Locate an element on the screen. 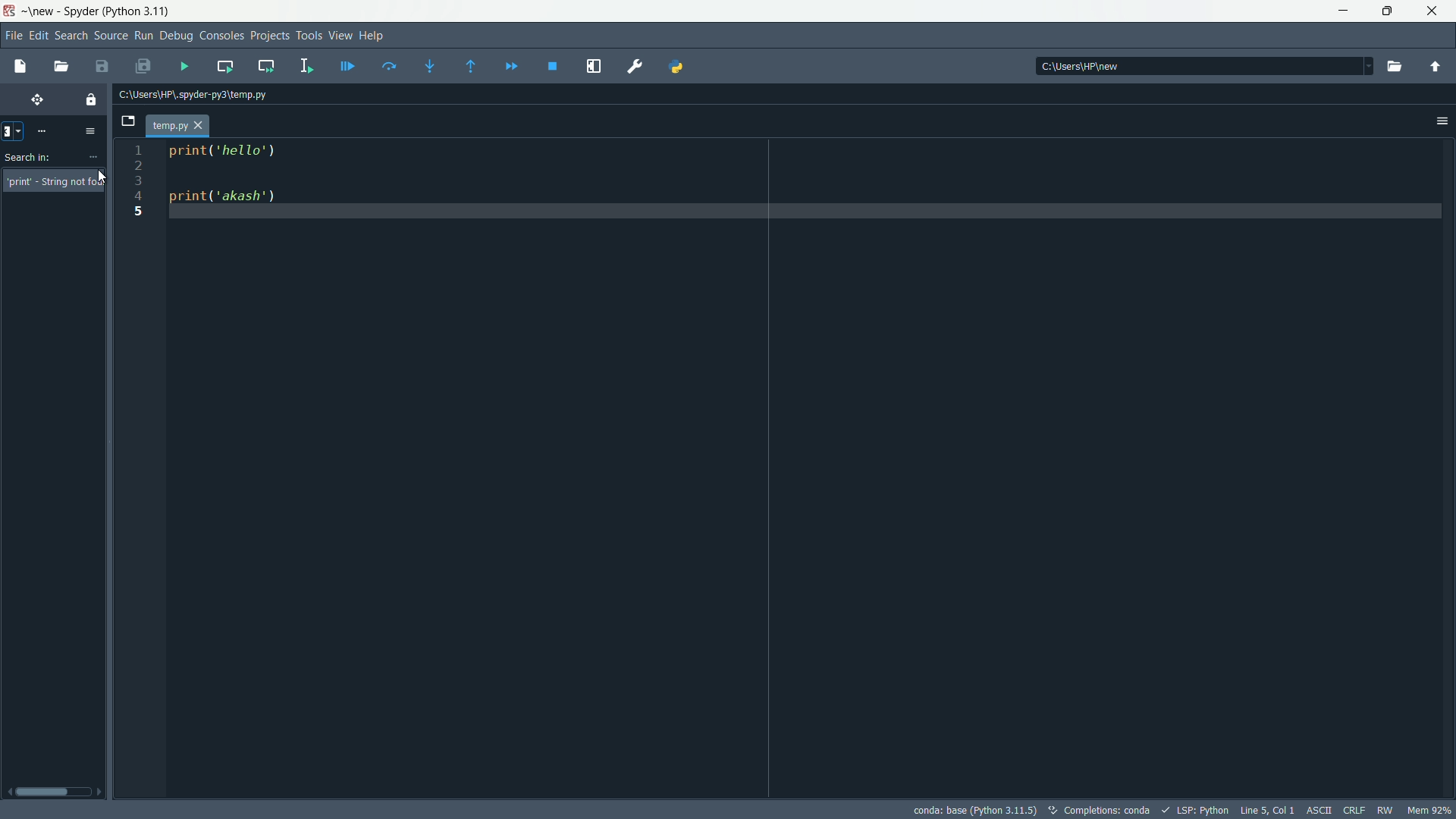 Image resolution: width=1456 pixels, height=819 pixels. more is located at coordinates (43, 130).